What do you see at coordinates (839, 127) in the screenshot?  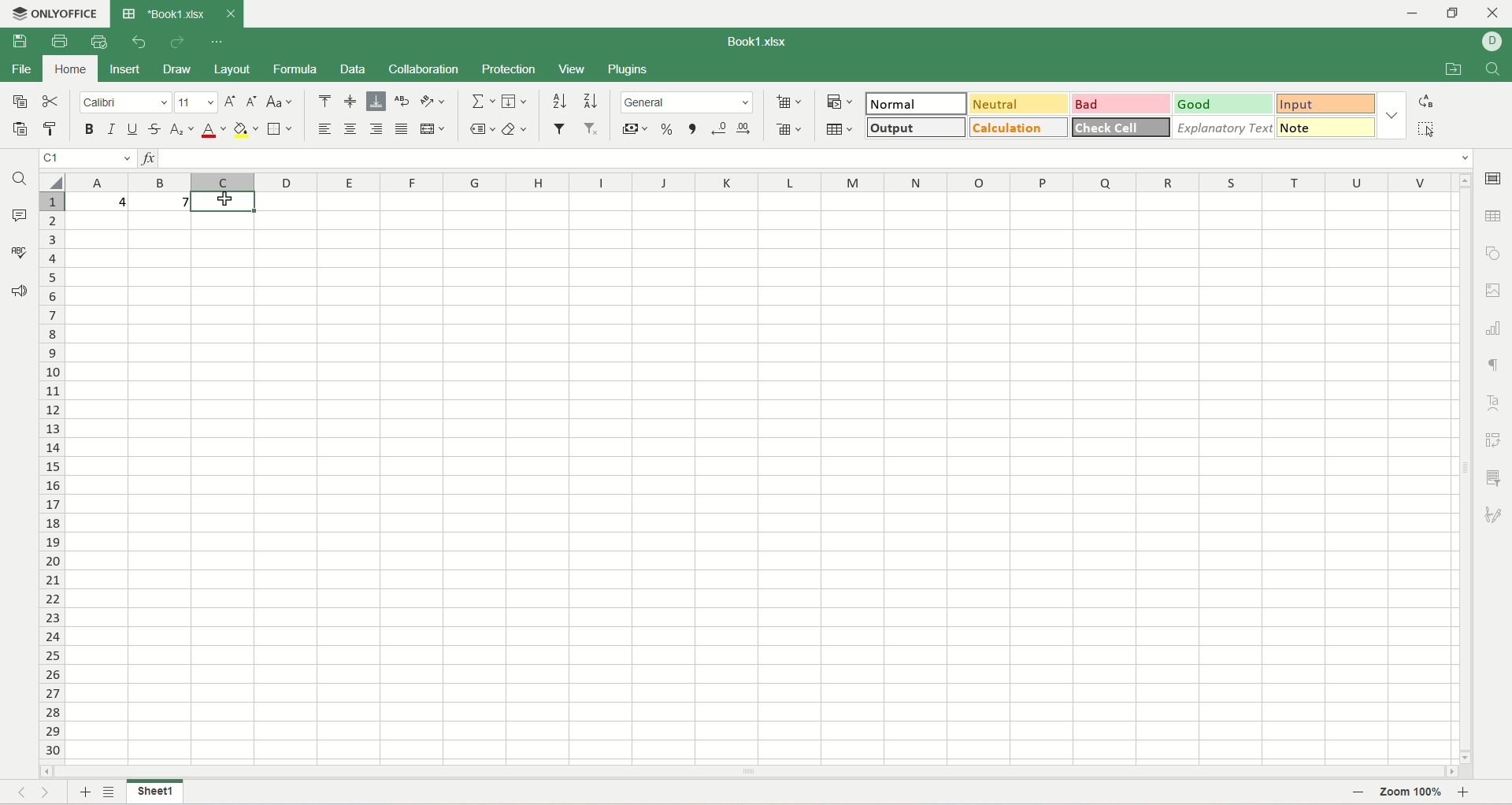 I see `insert table` at bounding box center [839, 127].